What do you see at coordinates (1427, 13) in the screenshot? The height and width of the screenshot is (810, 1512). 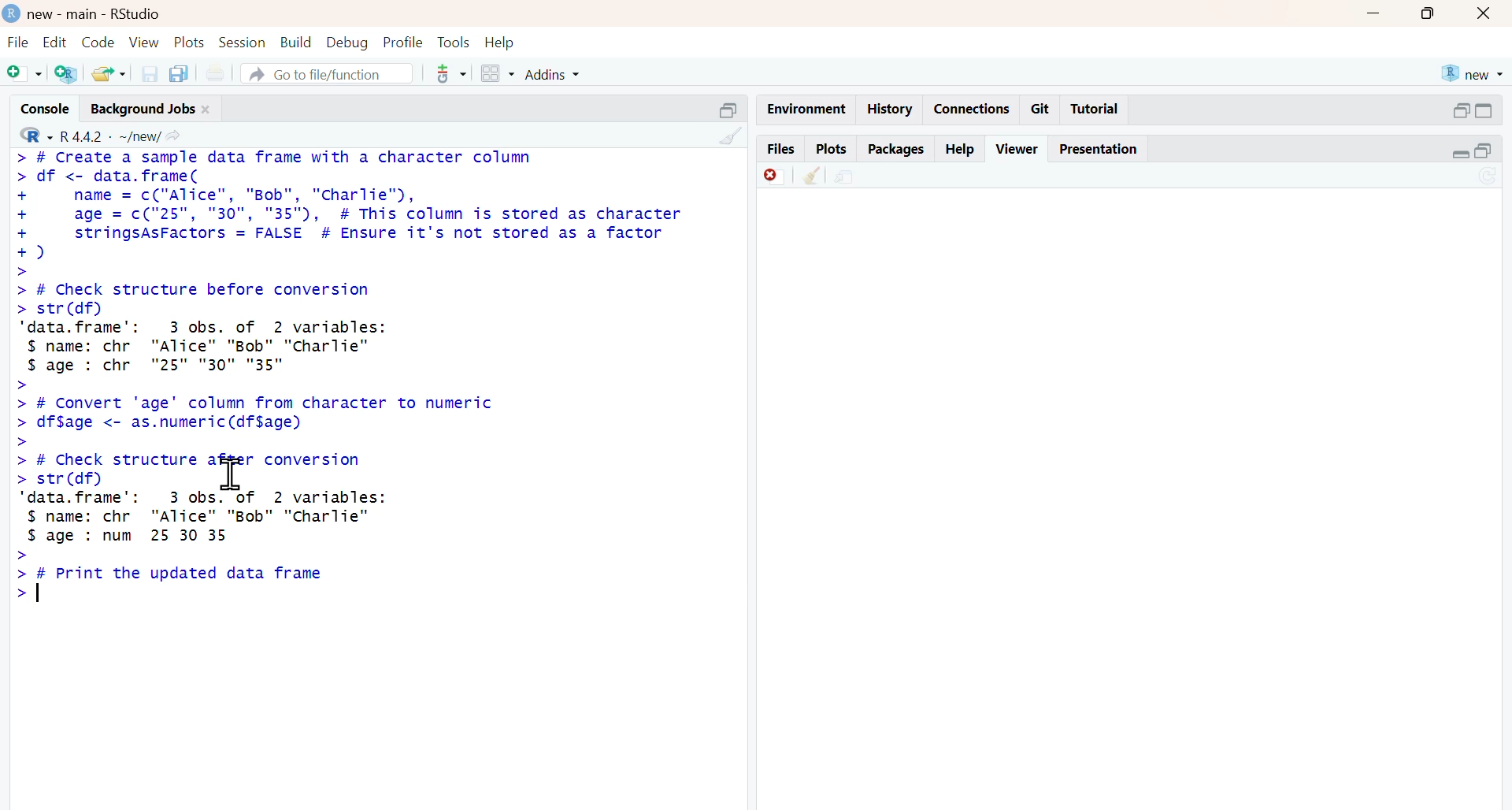 I see `maximise` at bounding box center [1427, 13].